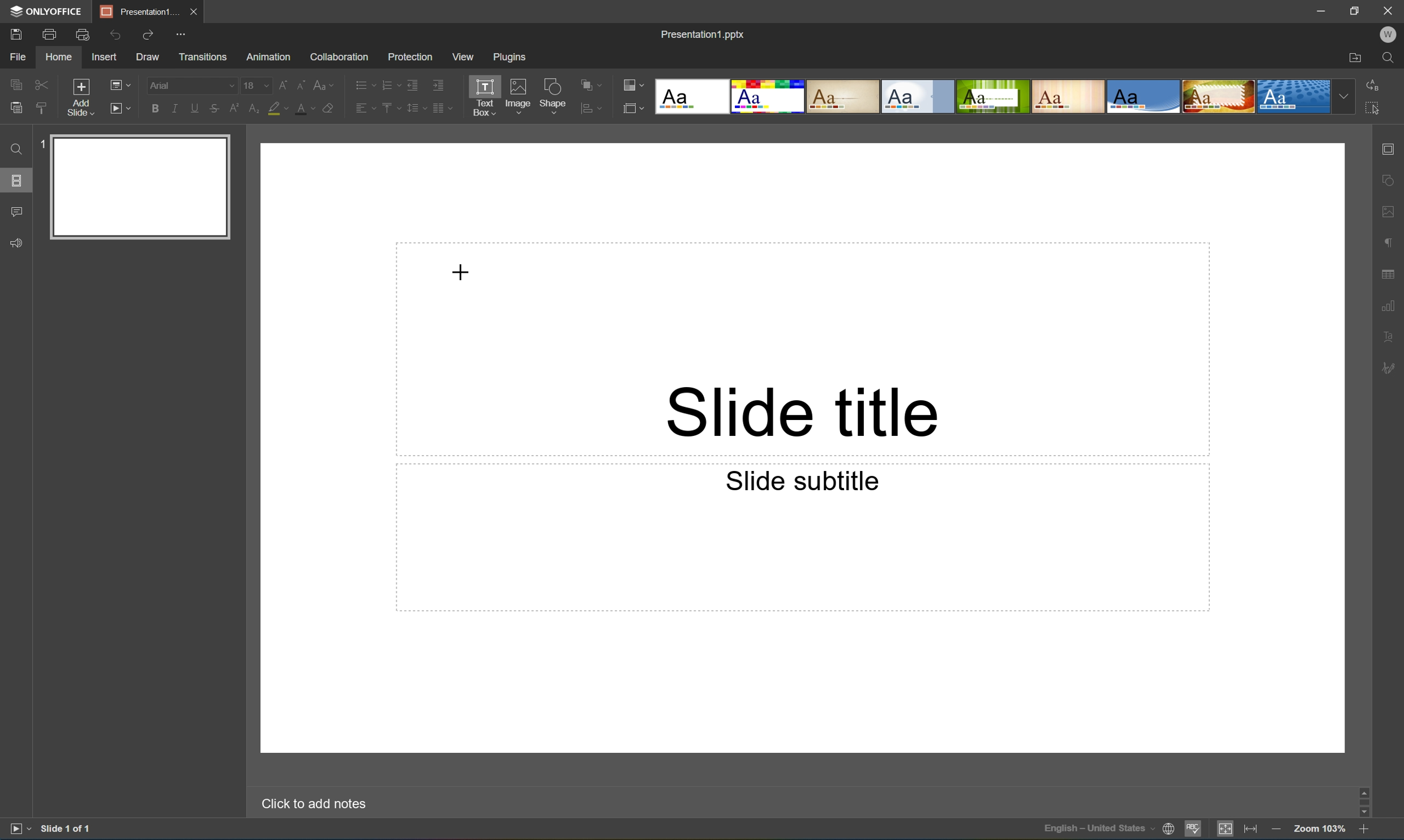  What do you see at coordinates (464, 57) in the screenshot?
I see `View` at bounding box center [464, 57].